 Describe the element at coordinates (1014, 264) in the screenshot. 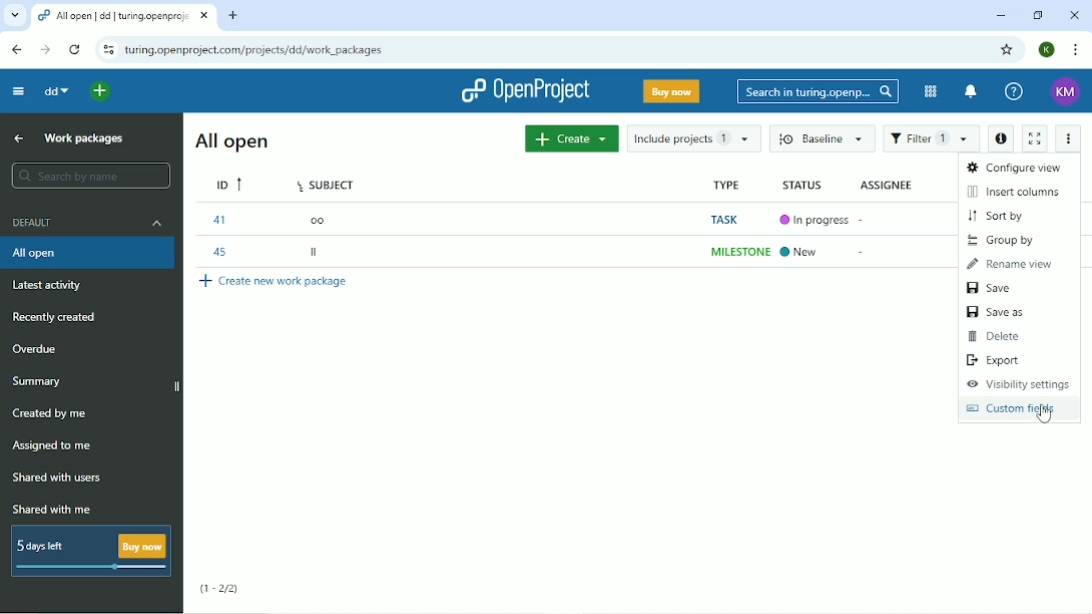

I see `Rename view` at that location.